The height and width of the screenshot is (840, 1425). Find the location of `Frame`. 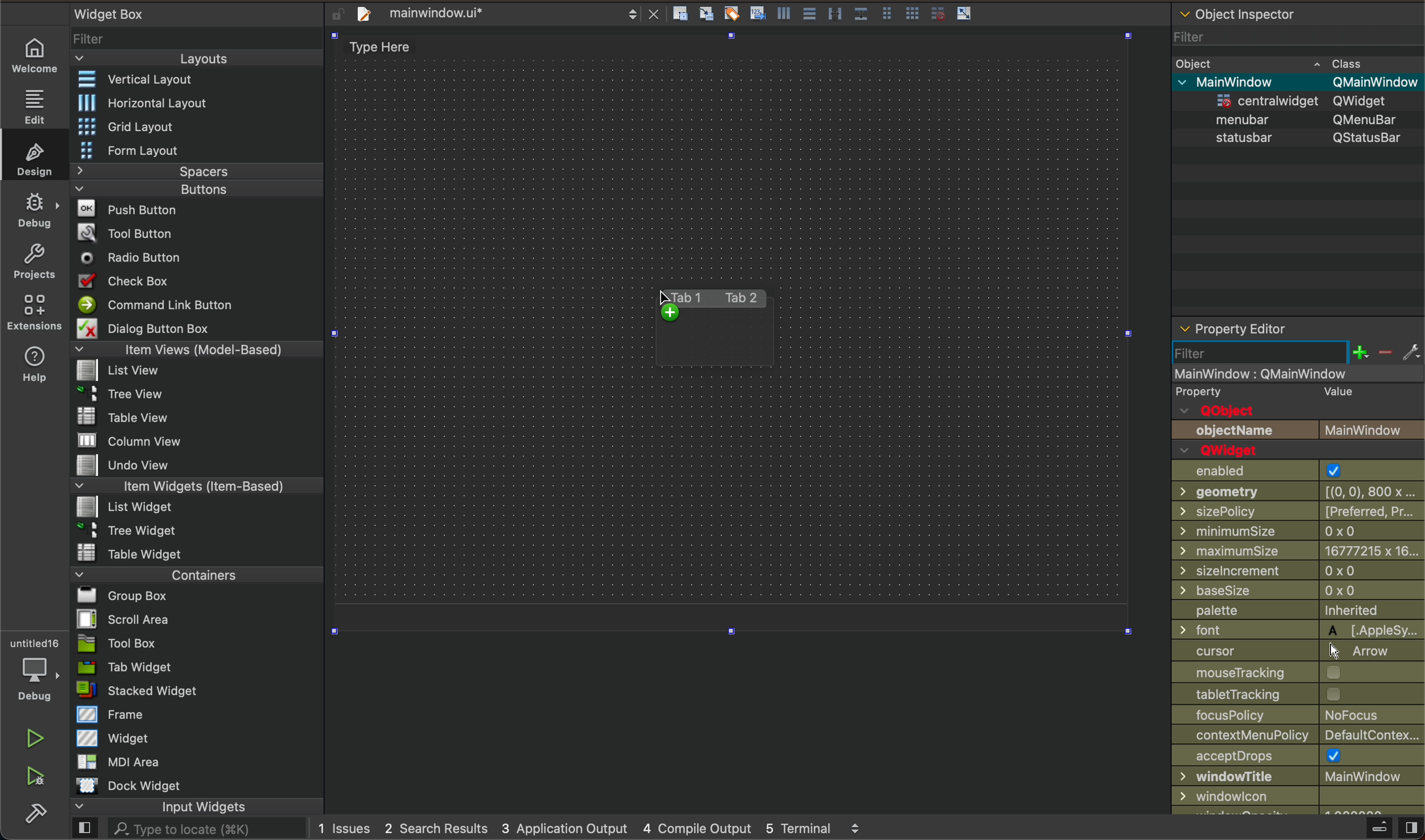

Frame is located at coordinates (105, 714).